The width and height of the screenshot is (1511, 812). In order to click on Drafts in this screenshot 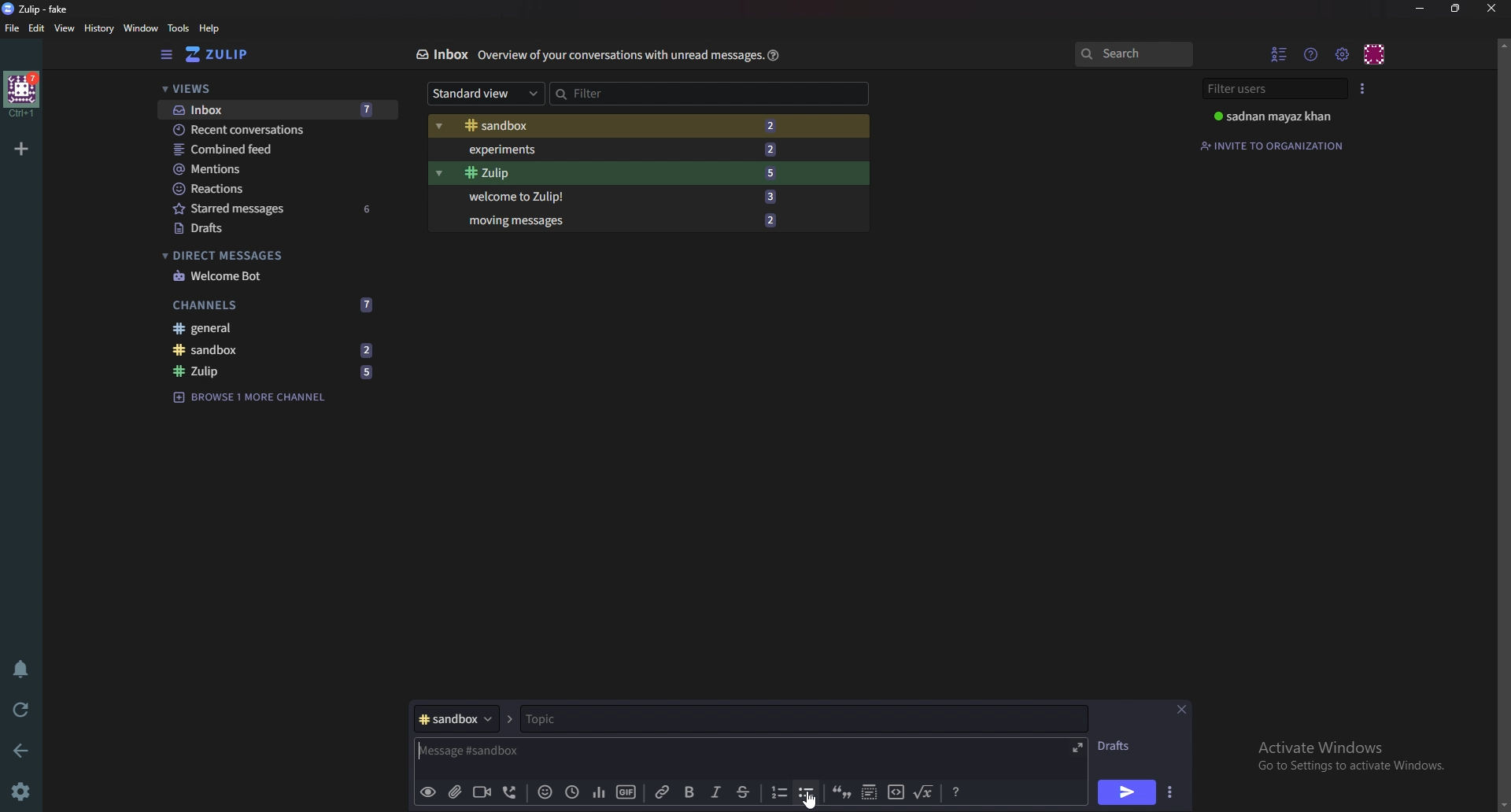, I will do `click(1119, 746)`.